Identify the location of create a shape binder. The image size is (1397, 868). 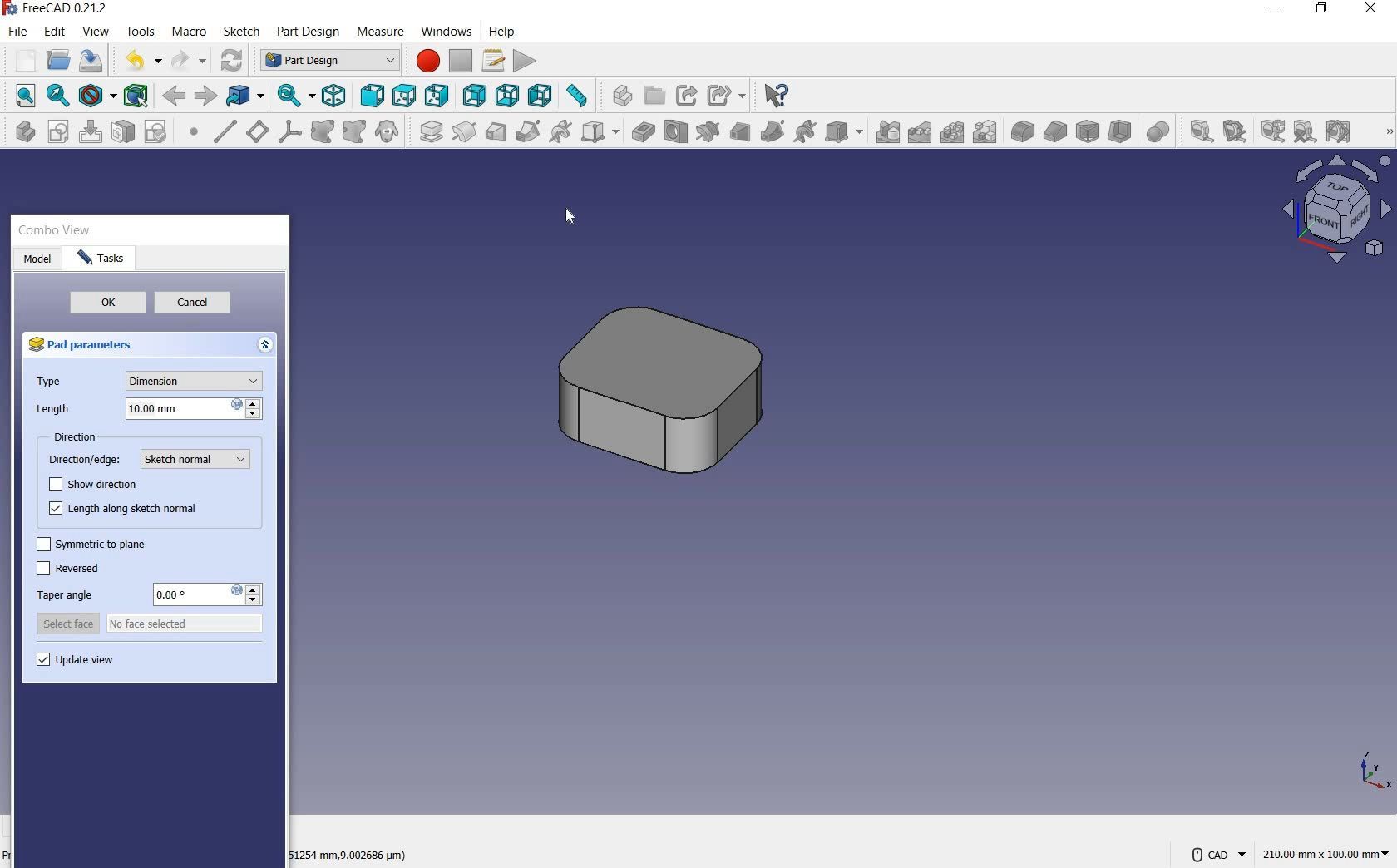
(323, 132).